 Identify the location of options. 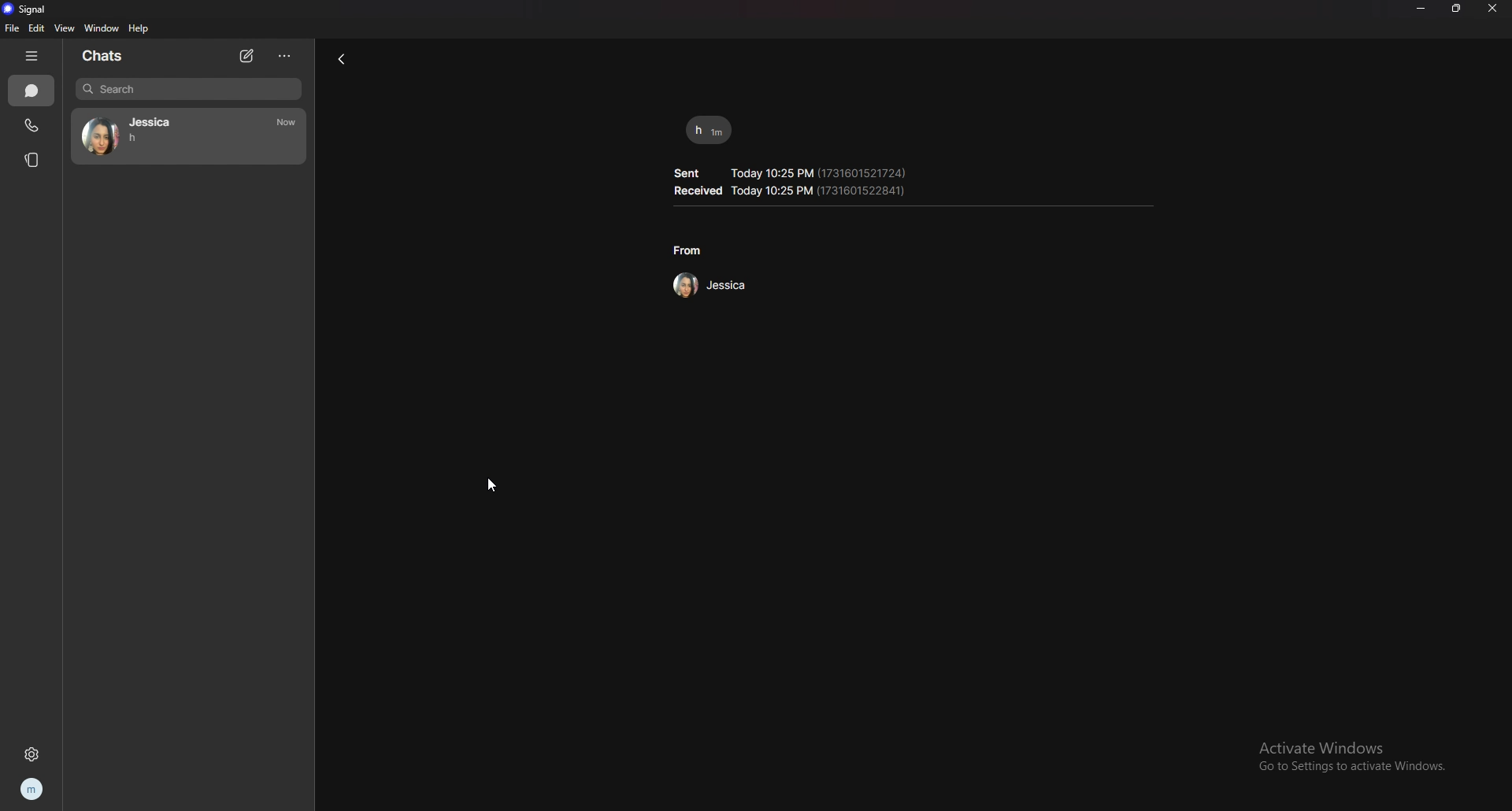
(283, 57).